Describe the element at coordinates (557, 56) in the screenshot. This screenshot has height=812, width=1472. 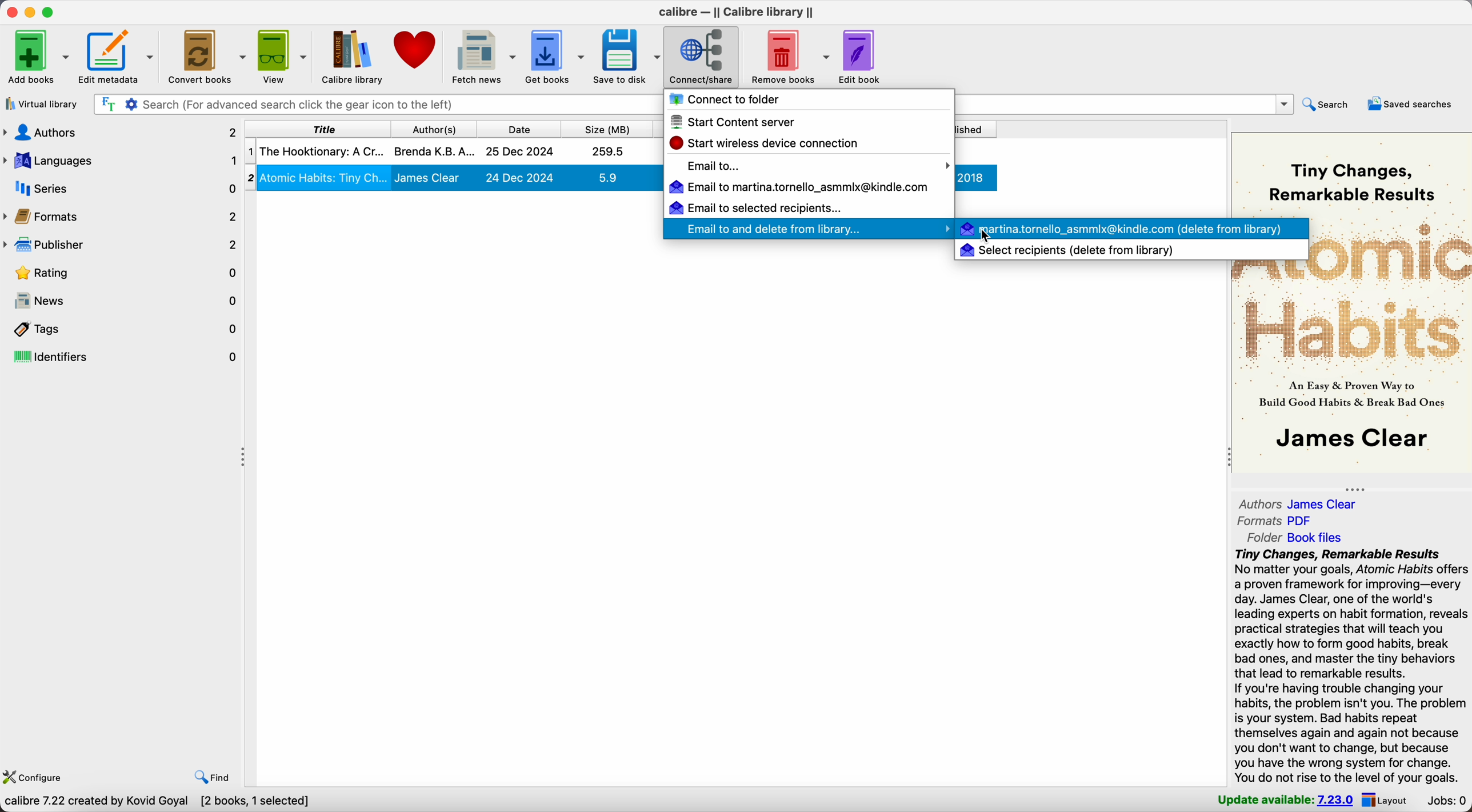
I see `get books` at that location.